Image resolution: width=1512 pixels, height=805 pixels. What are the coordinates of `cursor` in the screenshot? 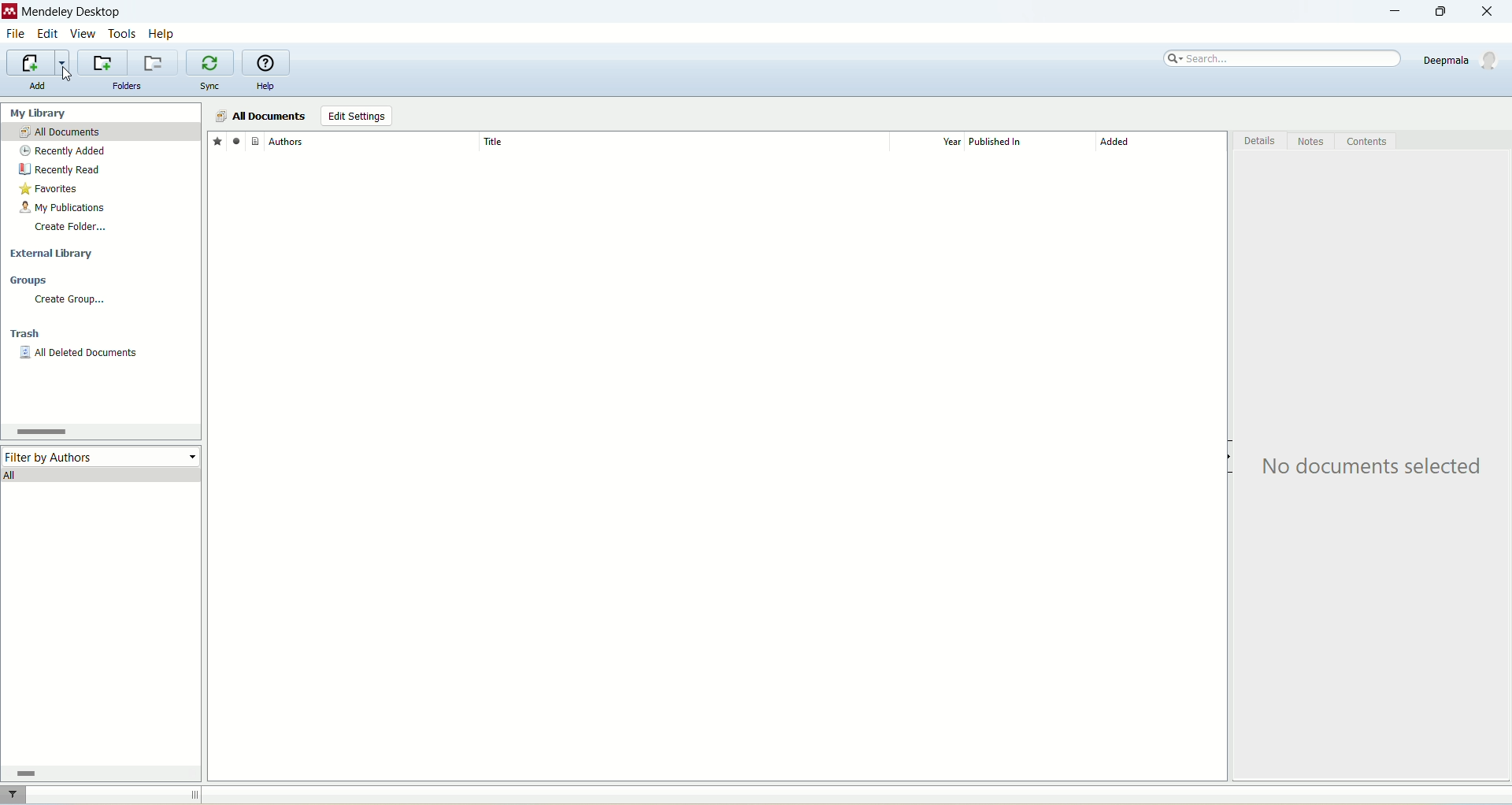 It's located at (65, 72).